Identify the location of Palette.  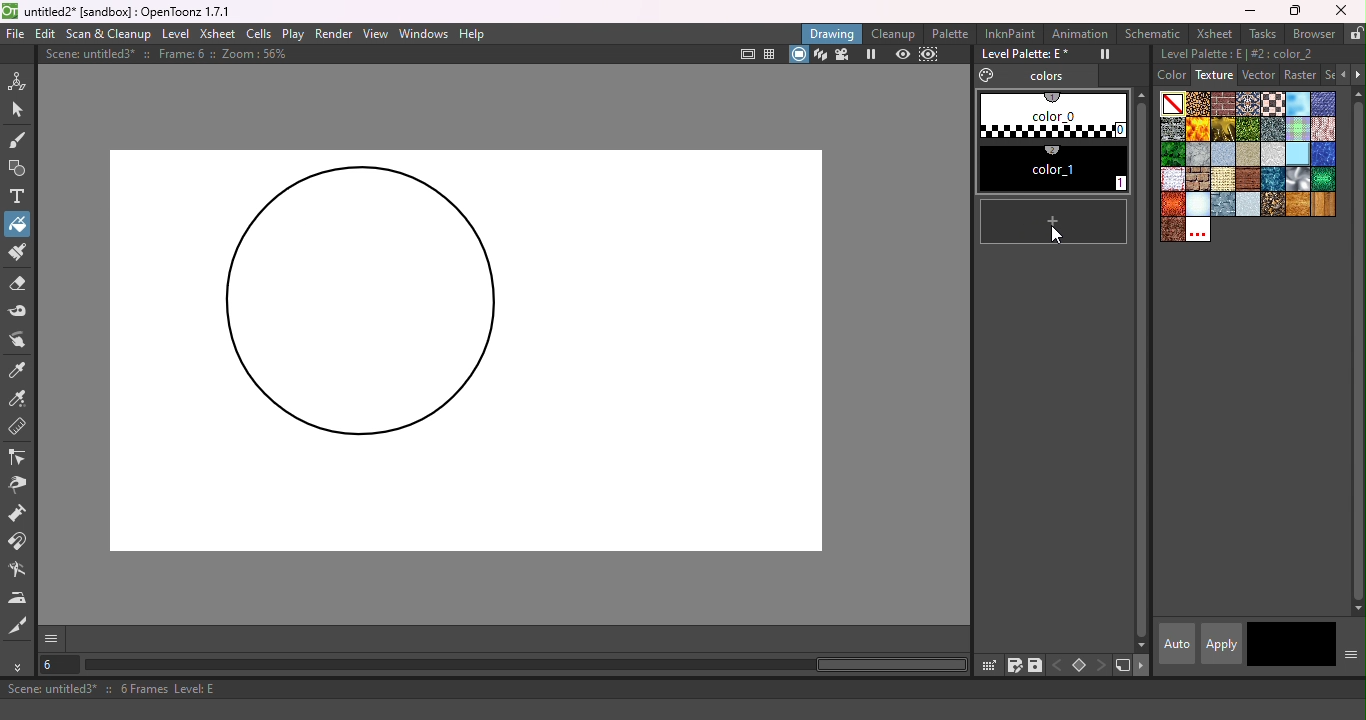
(952, 32).